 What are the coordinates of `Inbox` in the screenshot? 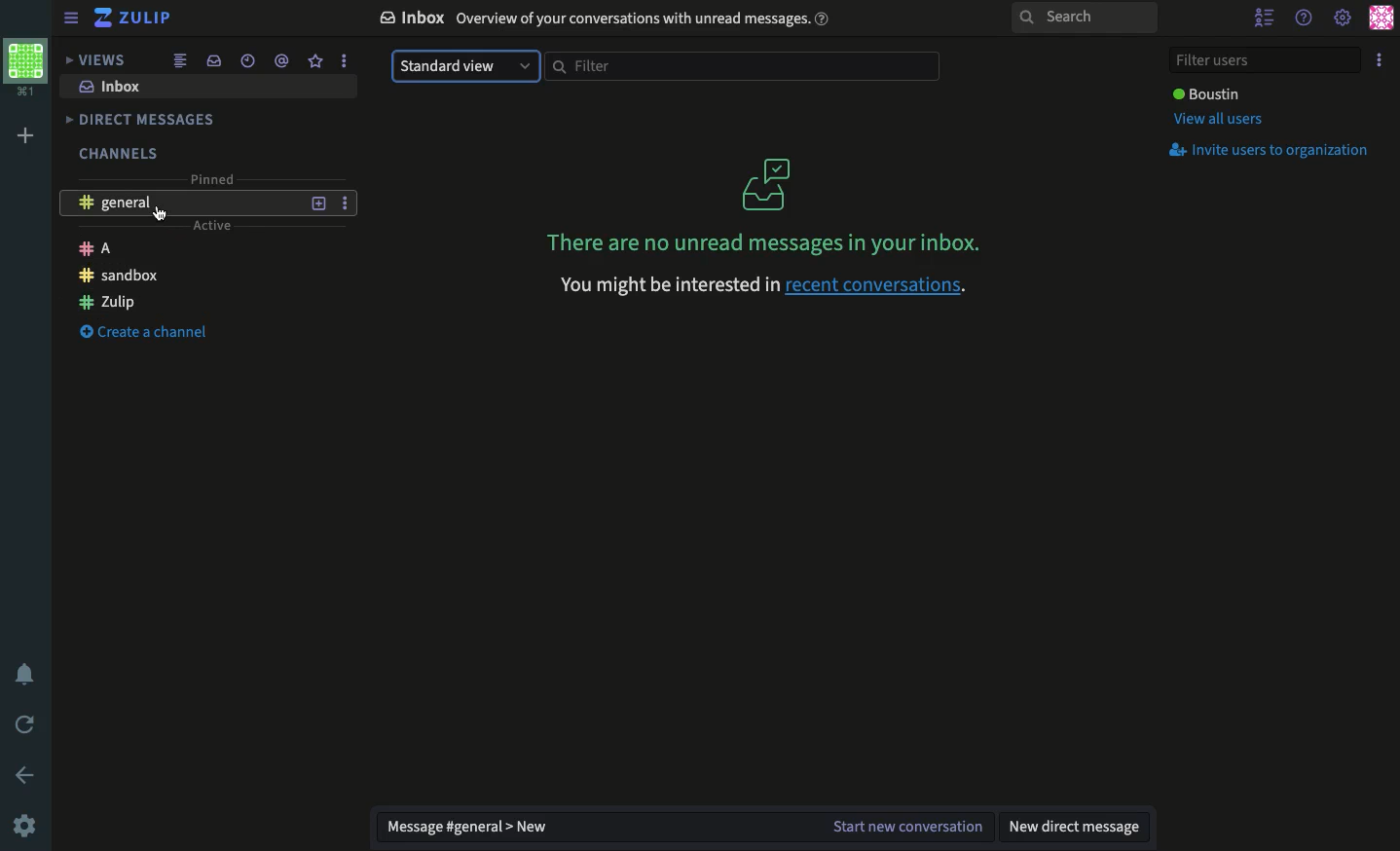 It's located at (120, 88).